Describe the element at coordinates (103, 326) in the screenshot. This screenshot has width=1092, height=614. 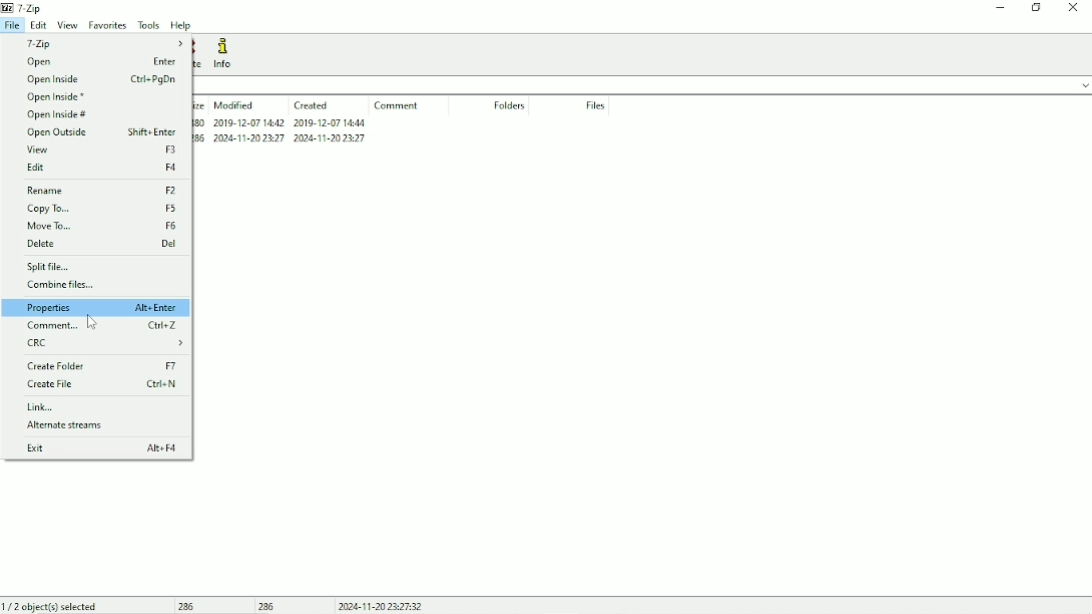
I see `Comment ` at that location.